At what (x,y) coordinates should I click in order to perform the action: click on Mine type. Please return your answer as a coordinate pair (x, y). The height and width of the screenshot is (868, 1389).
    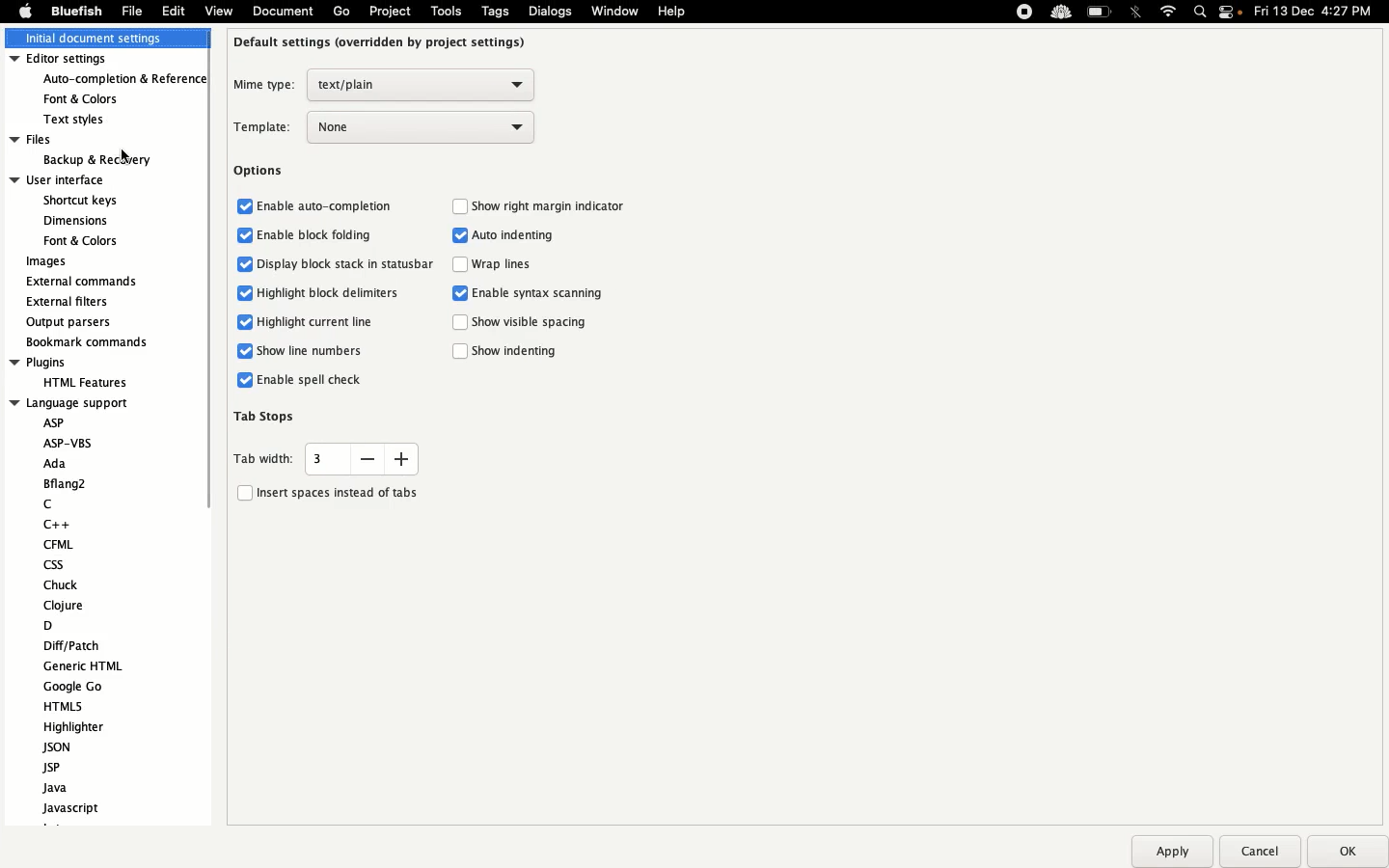
    Looking at the image, I should click on (383, 86).